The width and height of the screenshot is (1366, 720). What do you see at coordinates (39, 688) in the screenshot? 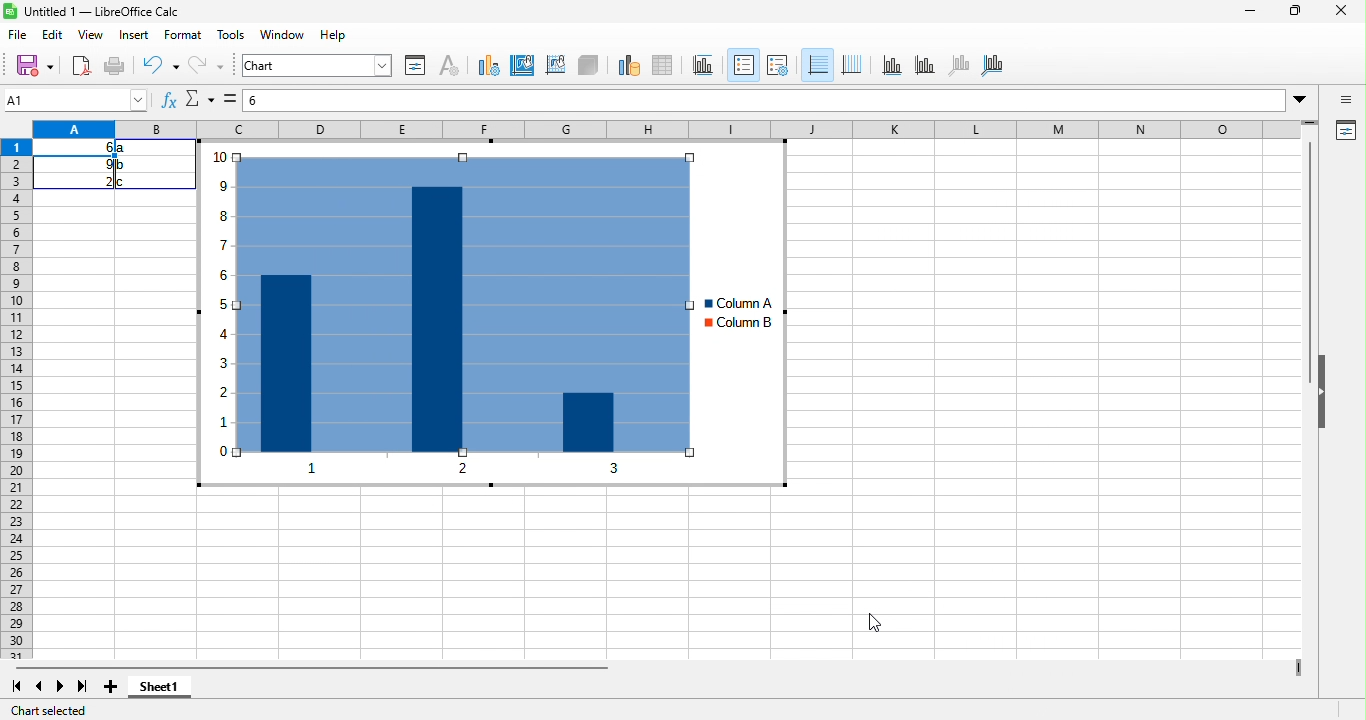
I see `previous` at bounding box center [39, 688].